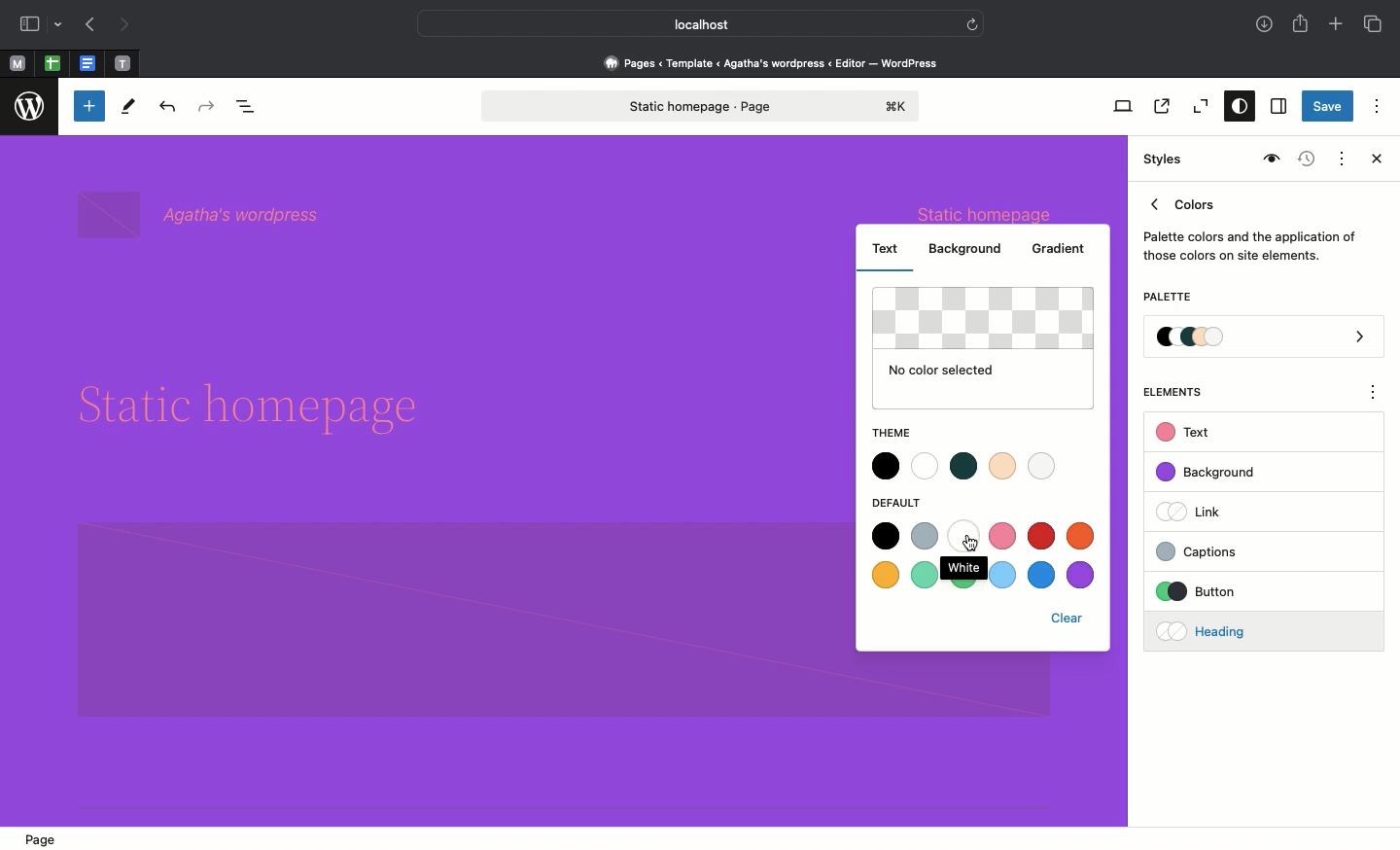 The width and height of the screenshot is (1400, 850). What do you see at coordinates (686, 23) in the screenshot?
I see `Local host` at bounding box center [686, 23].